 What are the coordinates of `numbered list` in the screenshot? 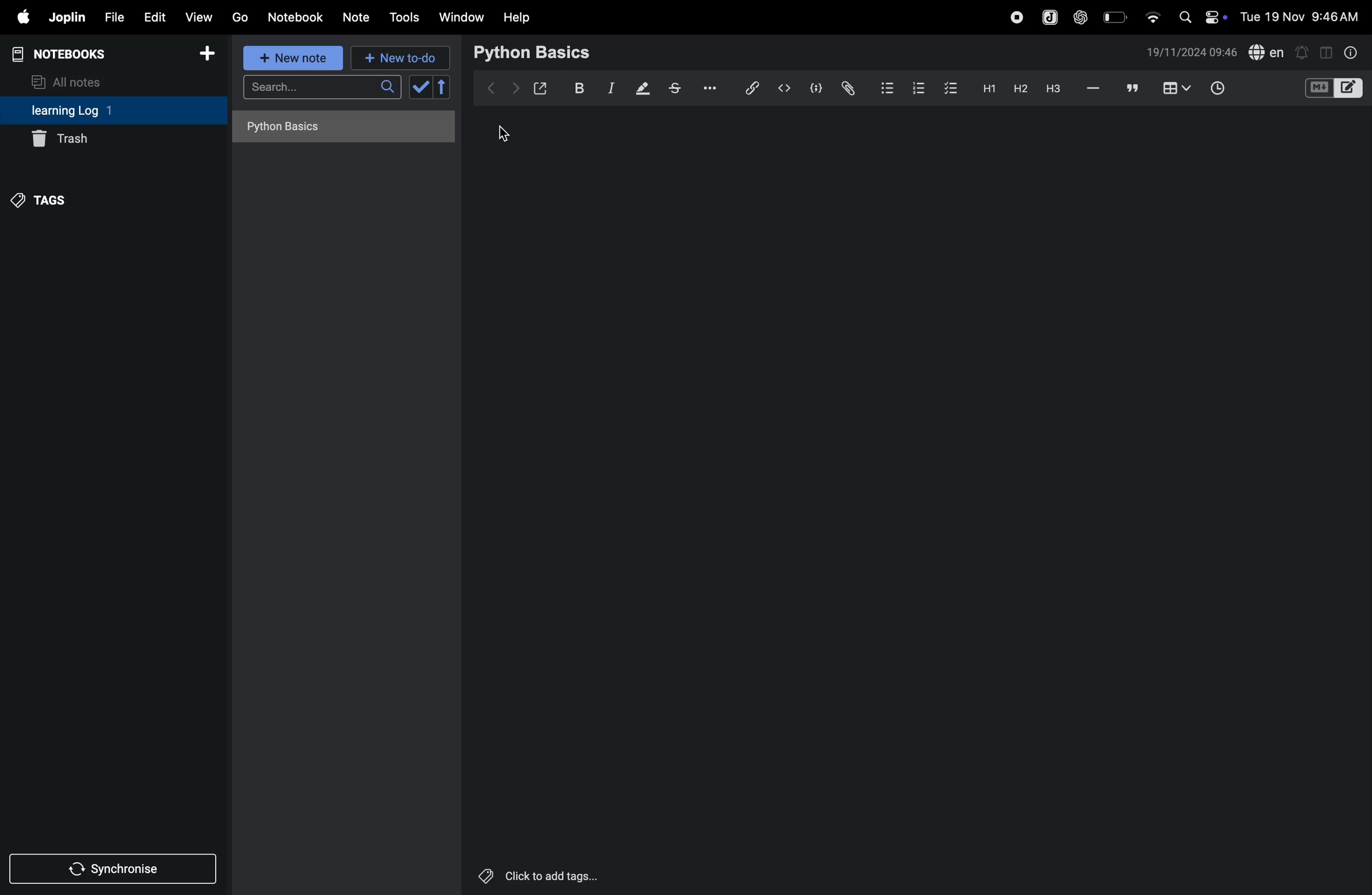 It's located at (915, 87).